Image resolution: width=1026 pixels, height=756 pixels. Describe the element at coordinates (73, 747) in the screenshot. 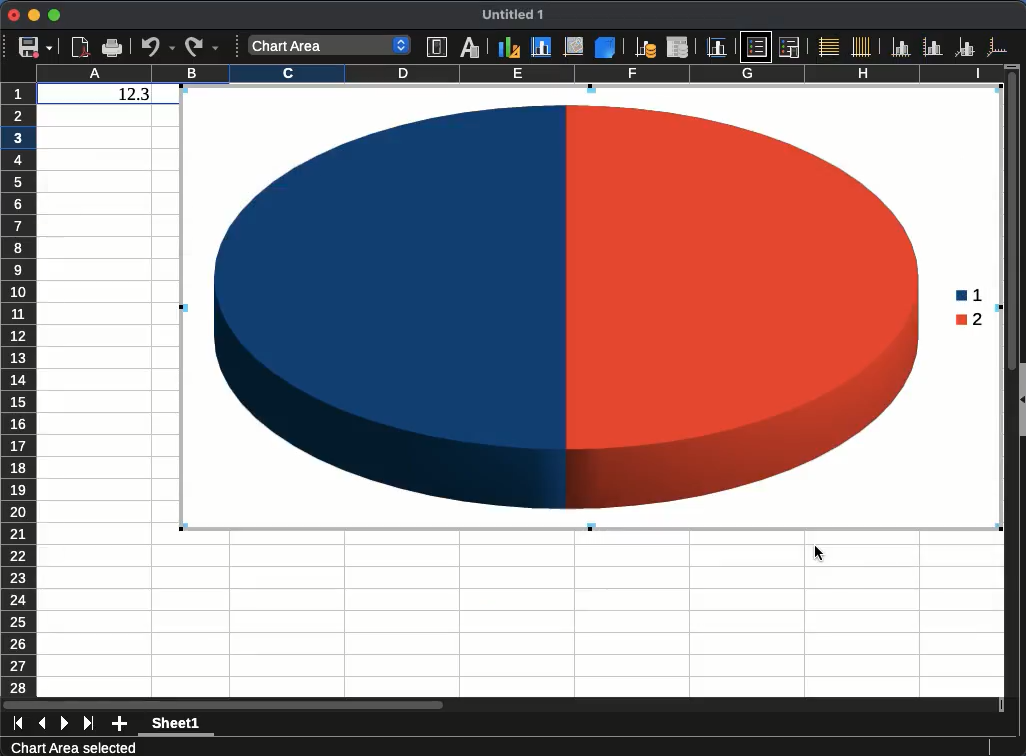

I see `Chart Area selected` at that location.